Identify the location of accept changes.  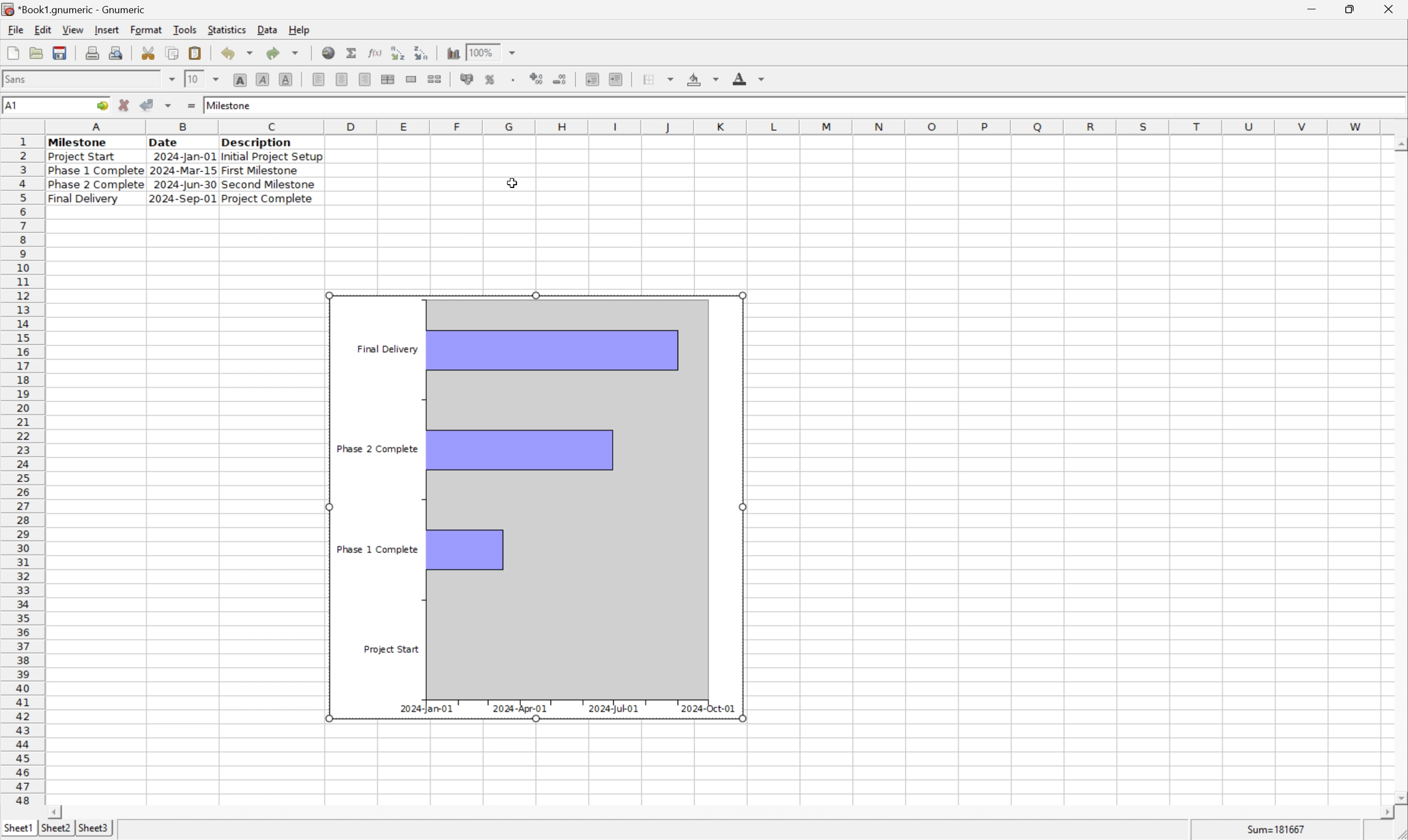
(151, 104).